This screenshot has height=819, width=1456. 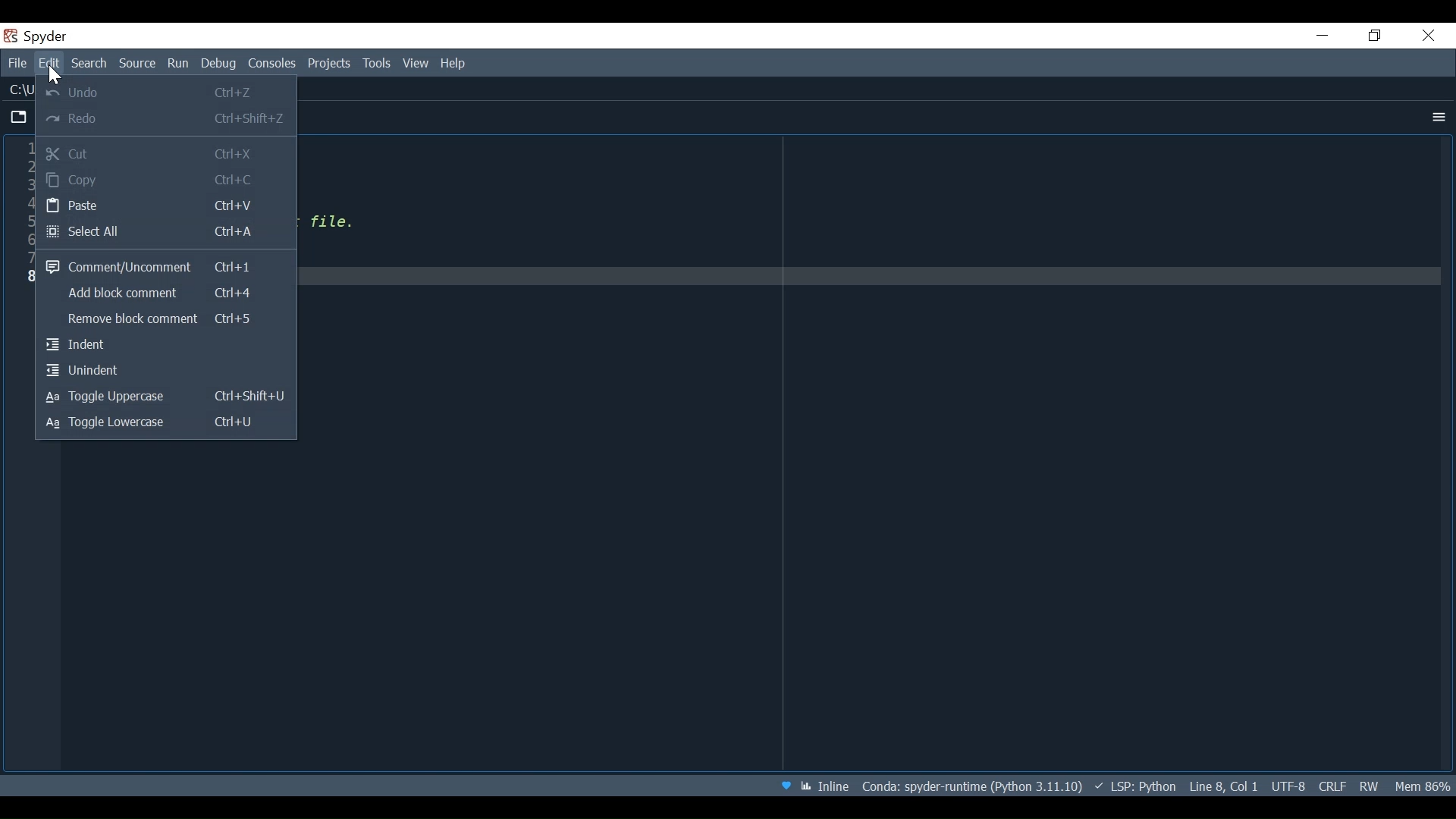 What do you see at coordinates (377, 65) in the screenshot?
I see `Tools` at bounding box center [377, 65].